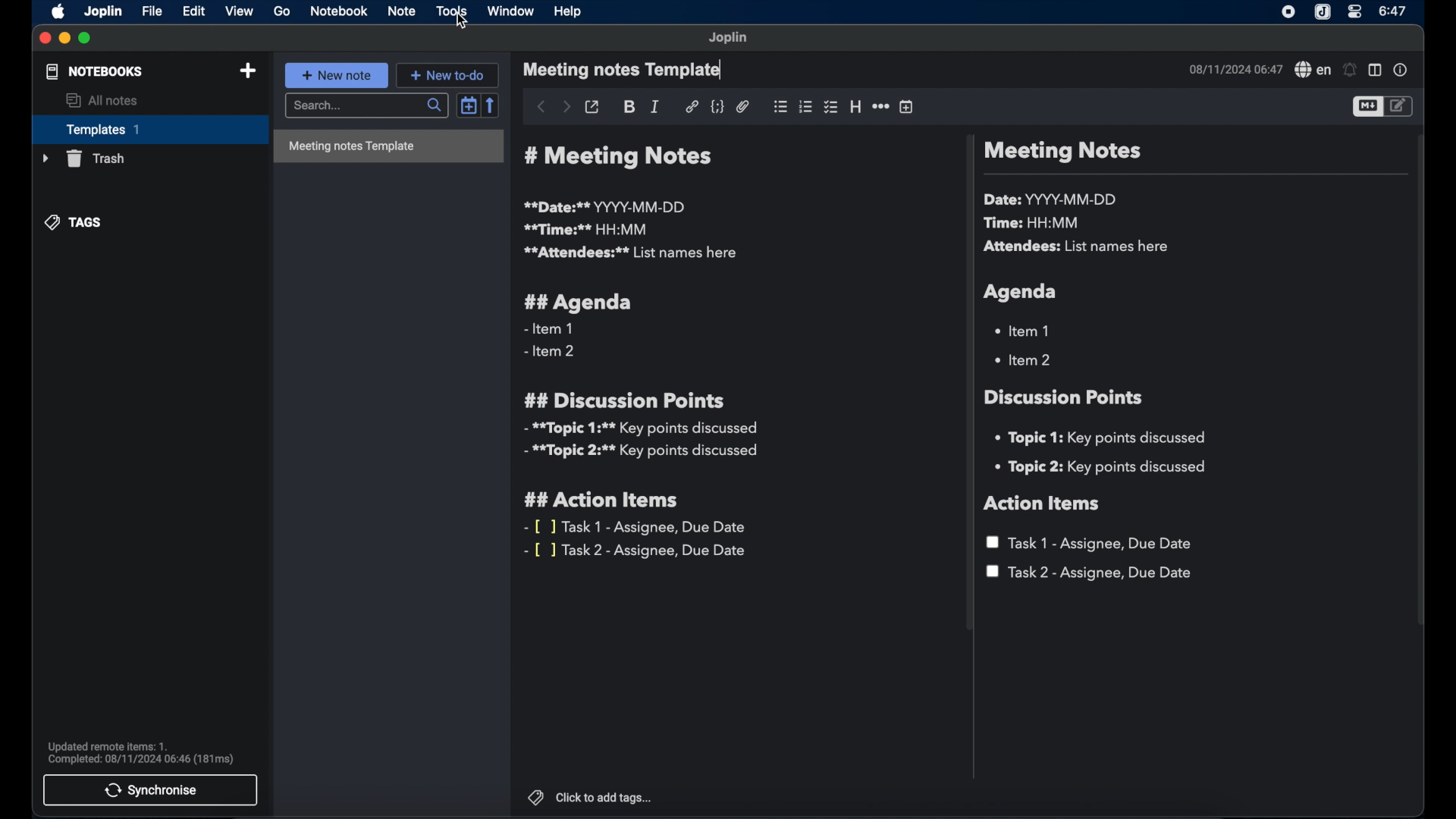  Describe the element at coordinates (1065, 397) in the screenshot. I see `discussion points` at that location.